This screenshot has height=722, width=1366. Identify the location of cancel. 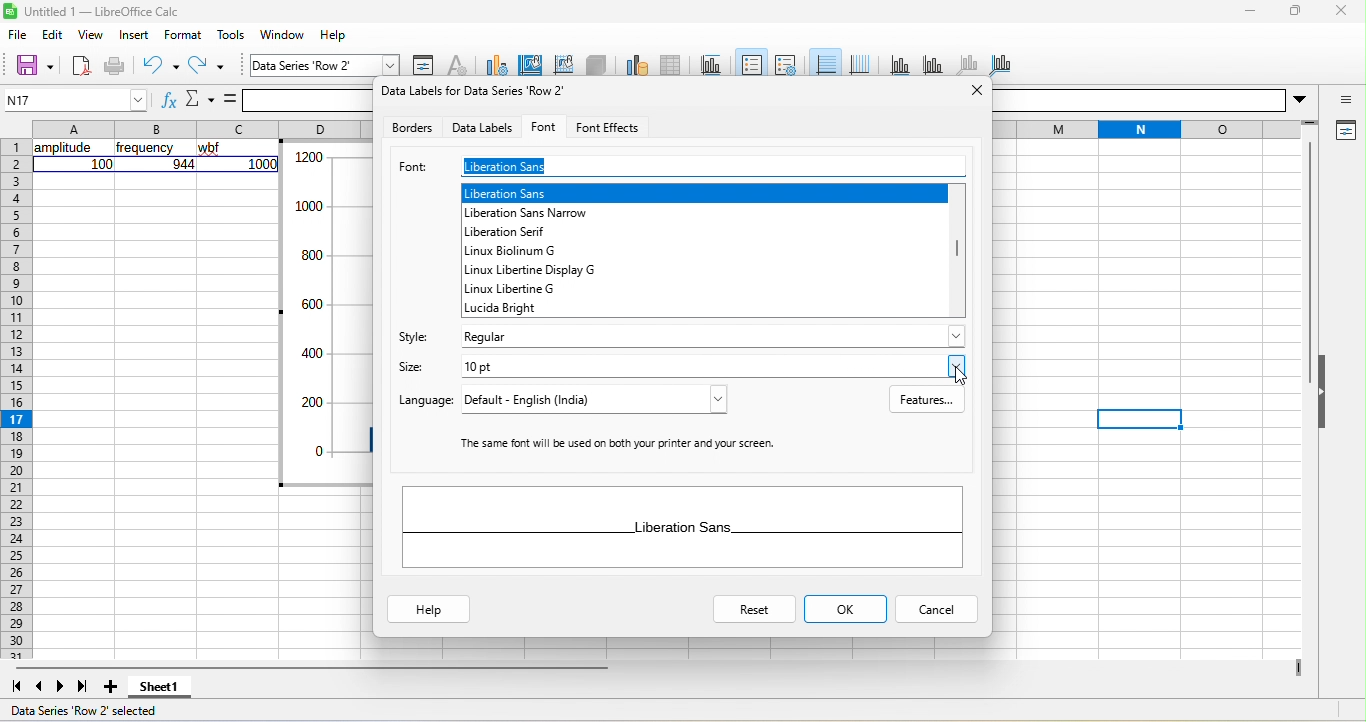
(939, 610).